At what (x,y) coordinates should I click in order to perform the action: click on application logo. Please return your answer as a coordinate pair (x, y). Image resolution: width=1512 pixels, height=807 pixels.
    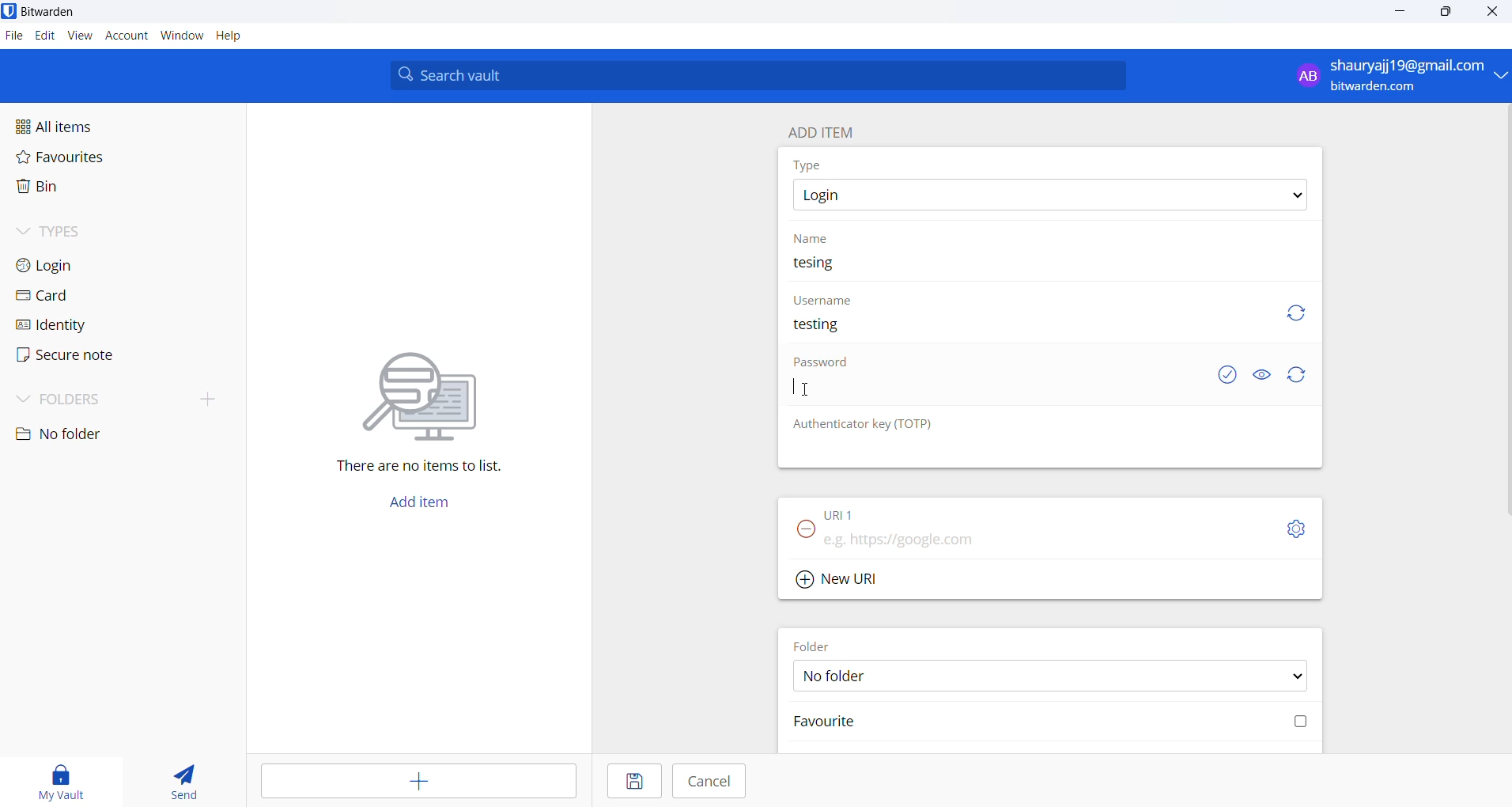
    Looking at the image, I should click on (9, 10).